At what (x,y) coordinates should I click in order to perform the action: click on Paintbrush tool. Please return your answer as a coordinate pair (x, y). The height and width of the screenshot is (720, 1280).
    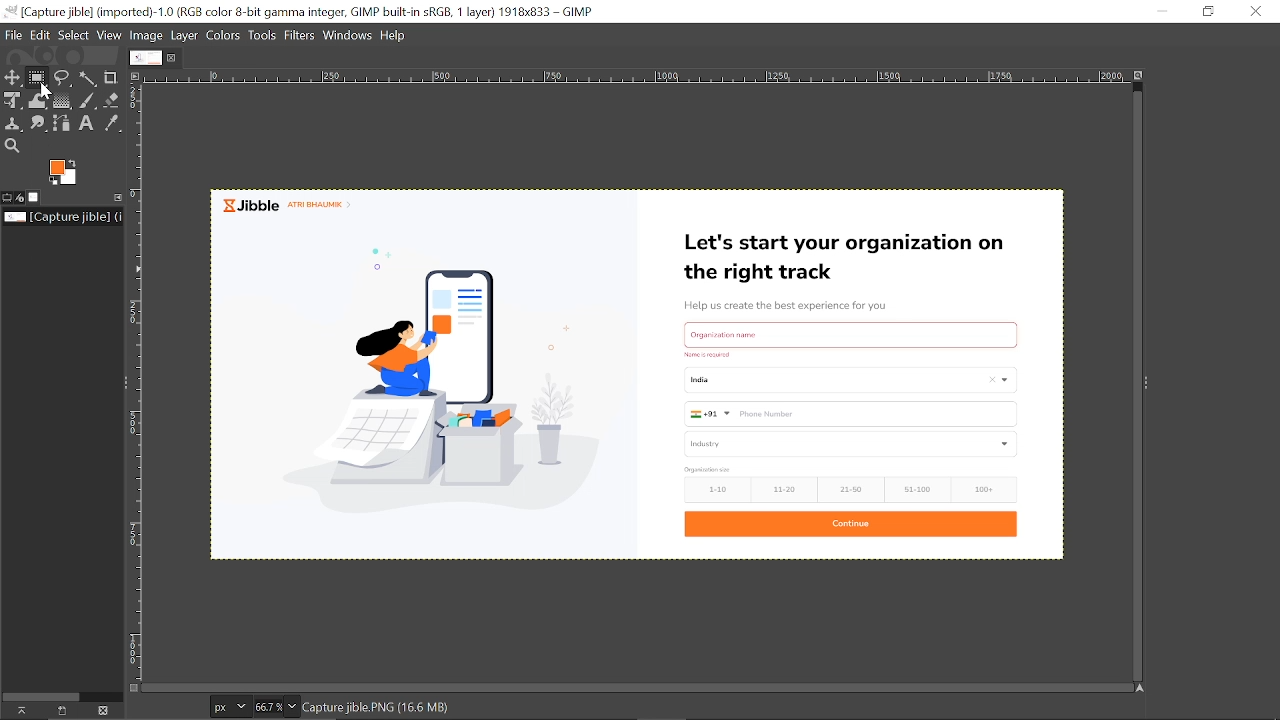
    Looking at the image, I should click on (89, 100).